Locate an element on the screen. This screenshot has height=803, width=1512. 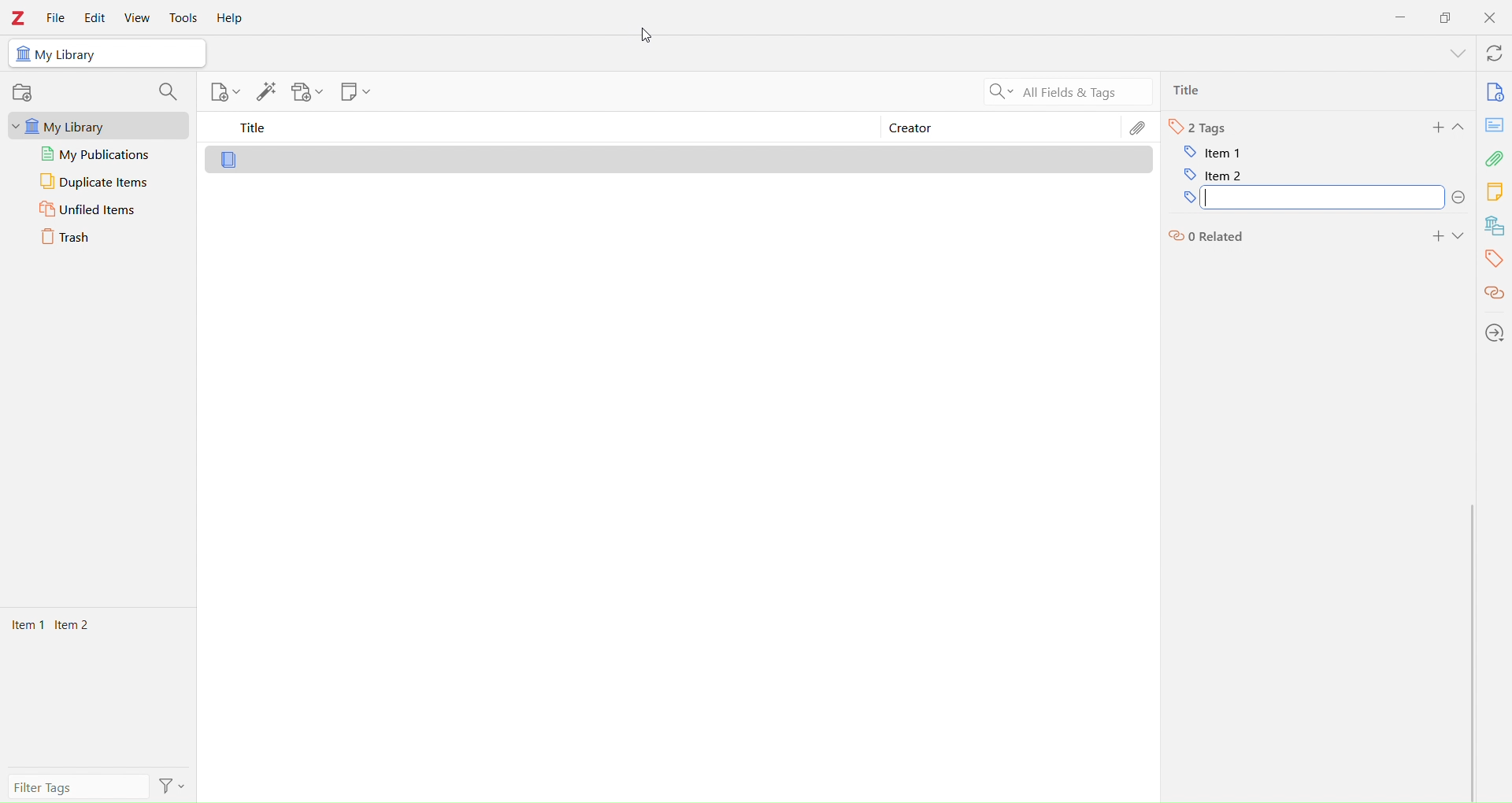
My Library is located at coordinates (98, 126).